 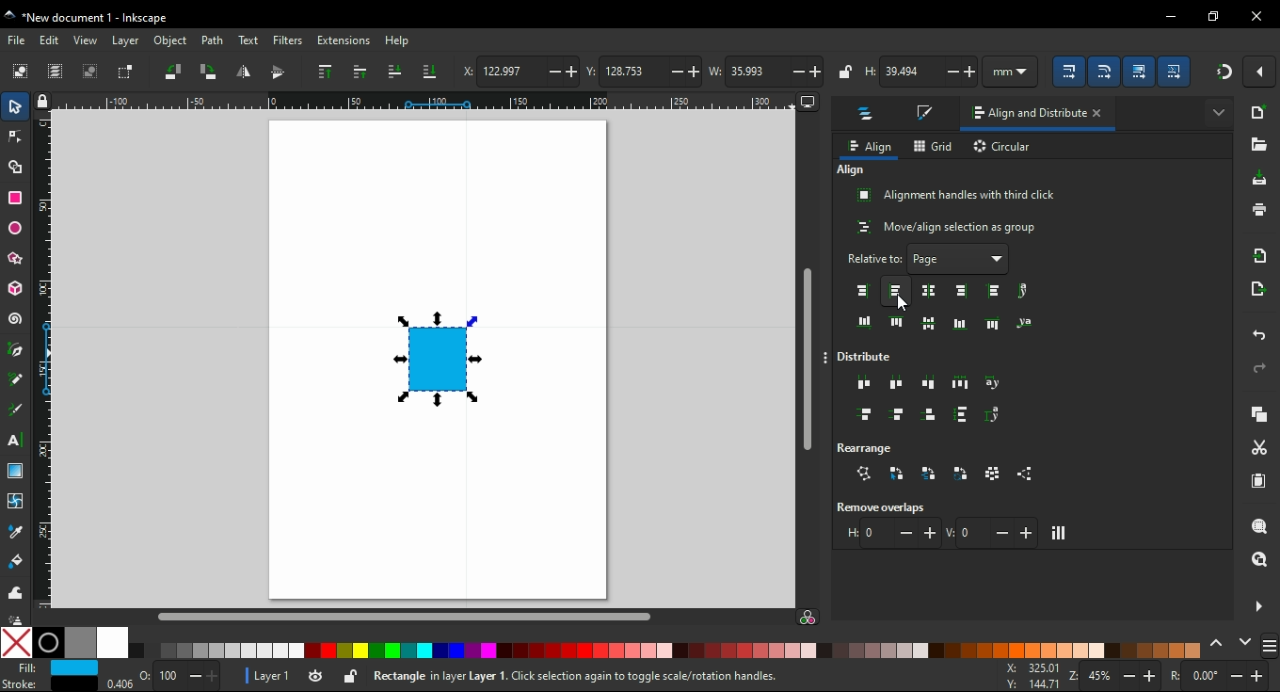 What do you see at coordinates (1258, 416) in the screenshot?
I see `copy` at bounding box center [1258, 416].